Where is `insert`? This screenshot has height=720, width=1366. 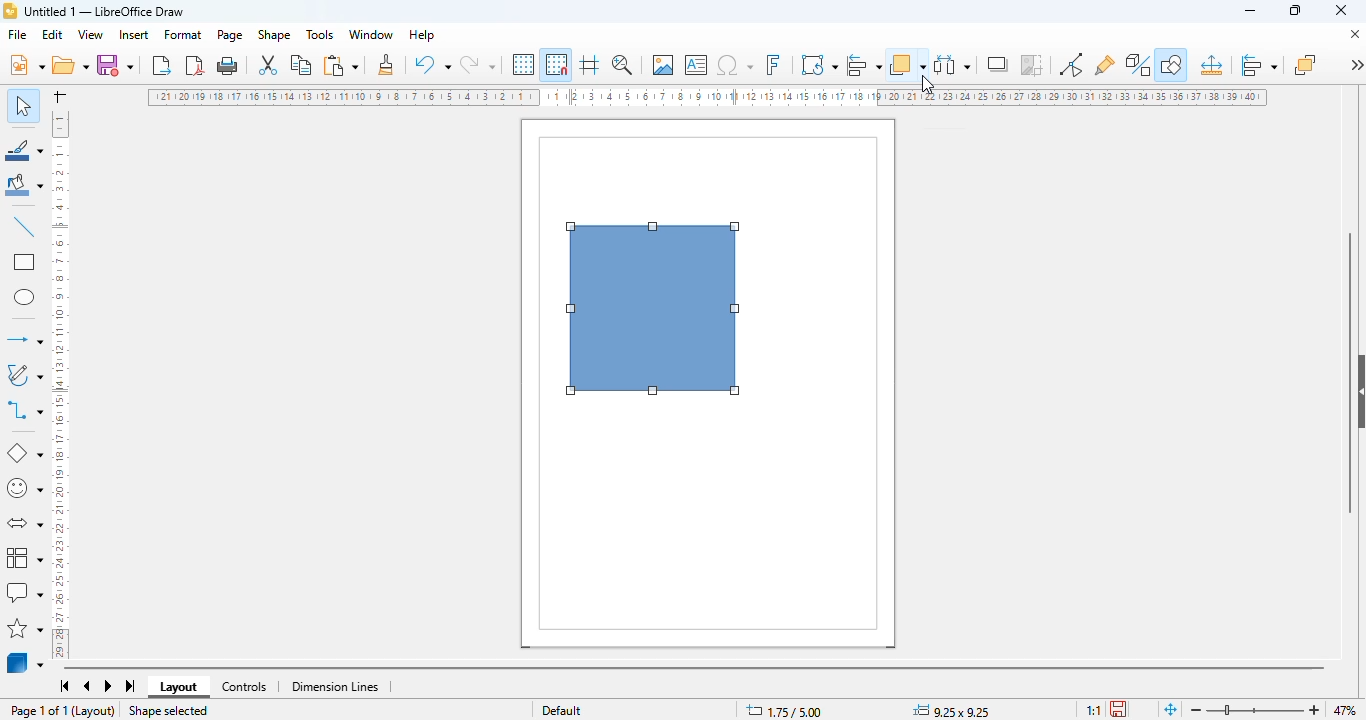
insert is located at coordinates (134, 35).